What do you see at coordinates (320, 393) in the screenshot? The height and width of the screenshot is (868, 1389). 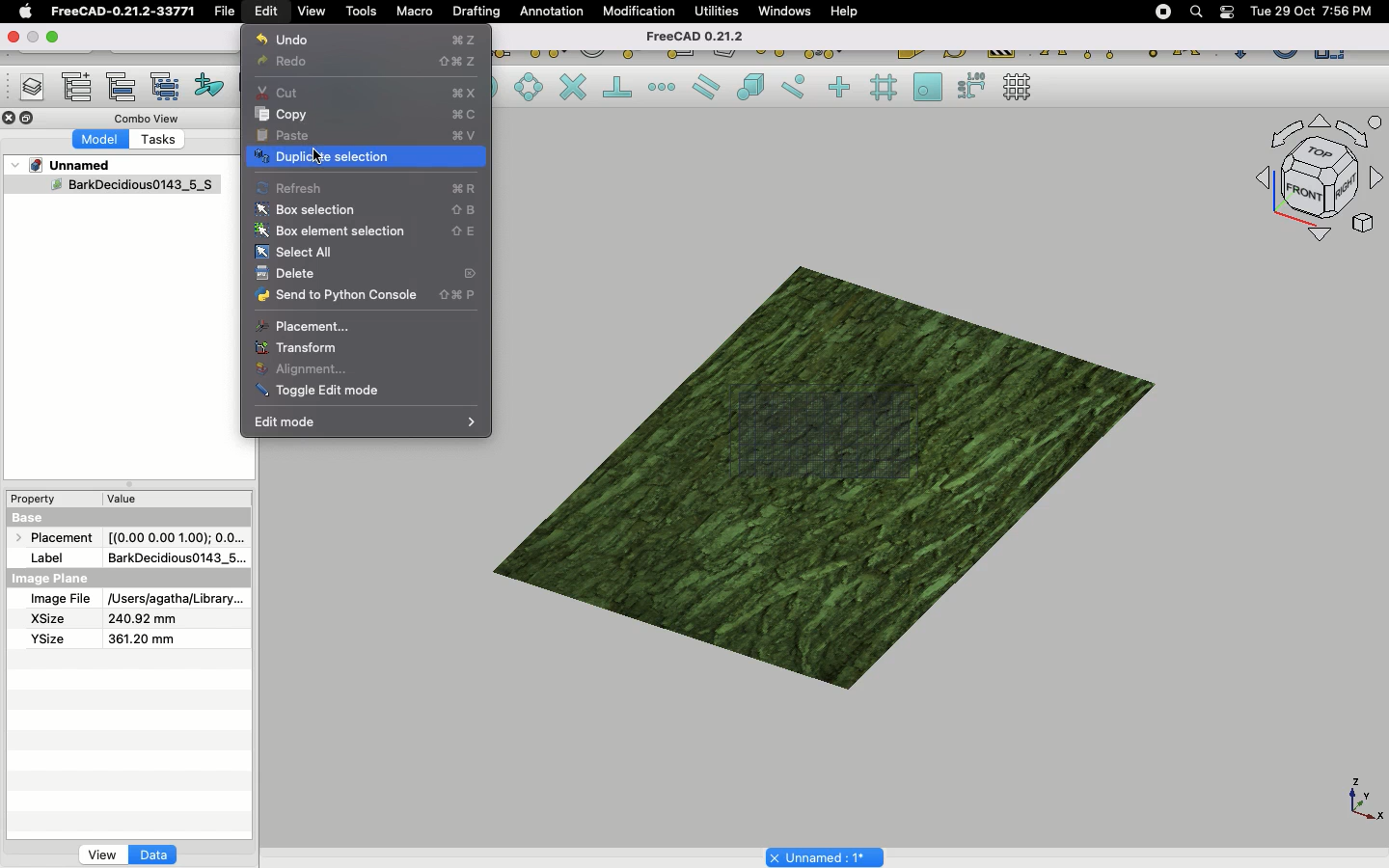 I see `Toggle edit mode` at bounding box center [320, 393].